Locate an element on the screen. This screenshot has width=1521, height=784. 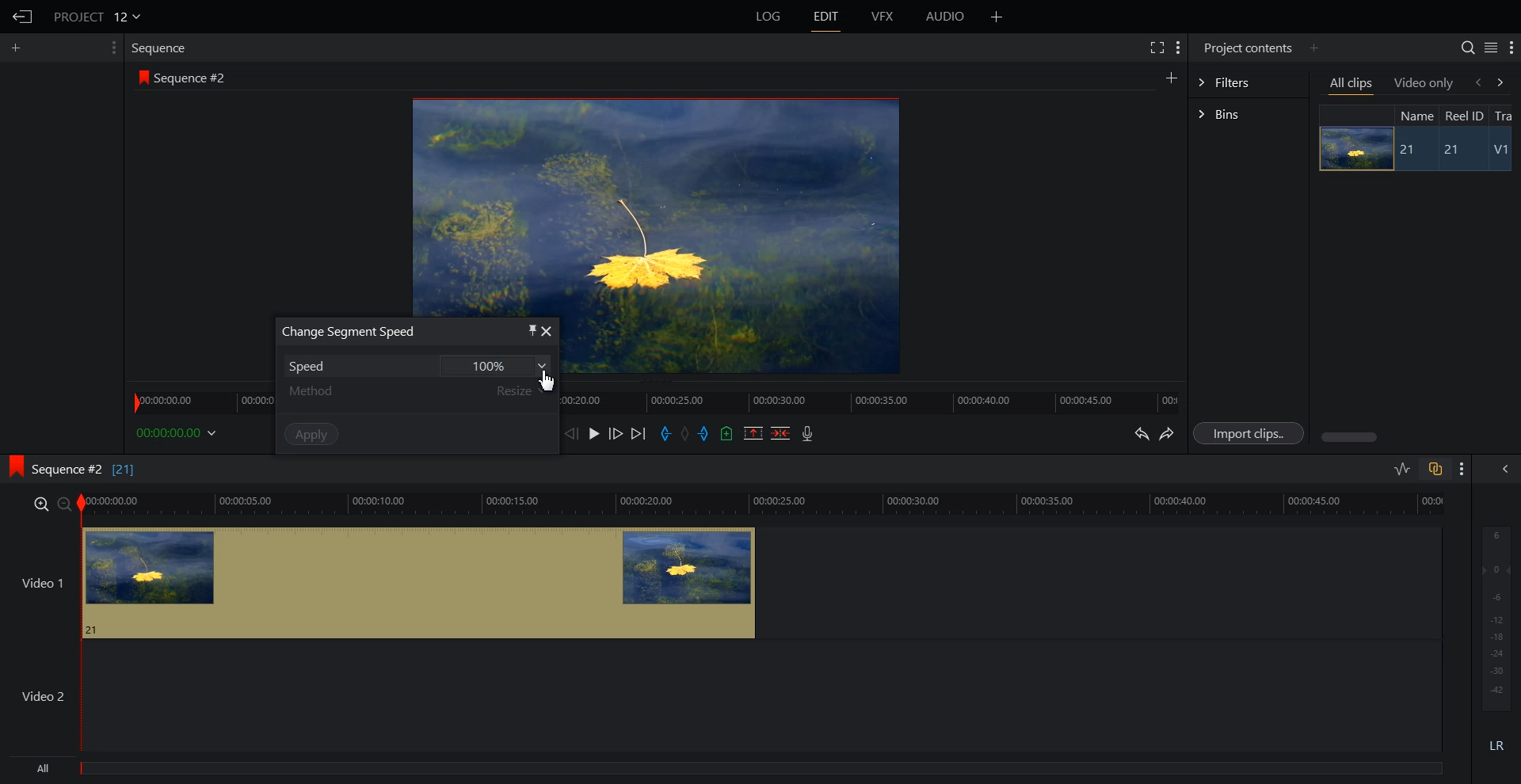
EDIT is located at coordinates (827, 17).